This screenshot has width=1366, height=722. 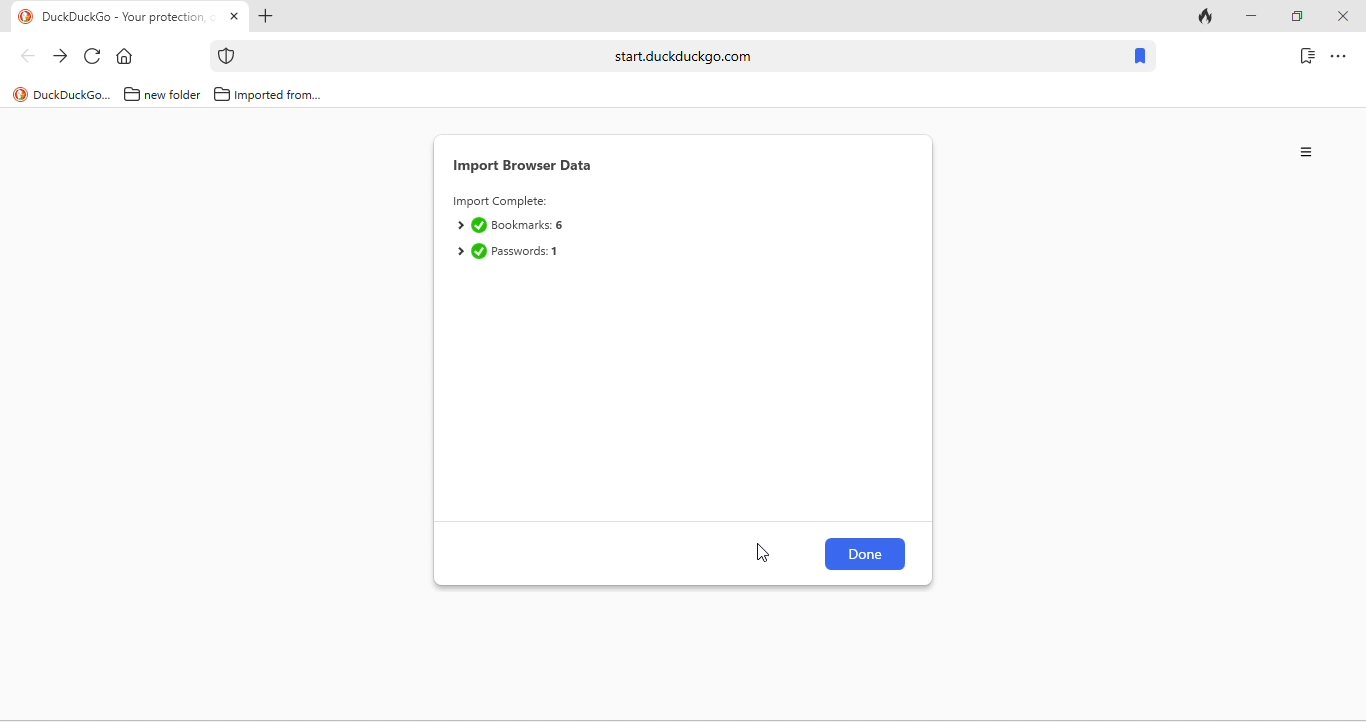 I want to click on DuckDuckGo - Your protection, so click(x=128, y=18).